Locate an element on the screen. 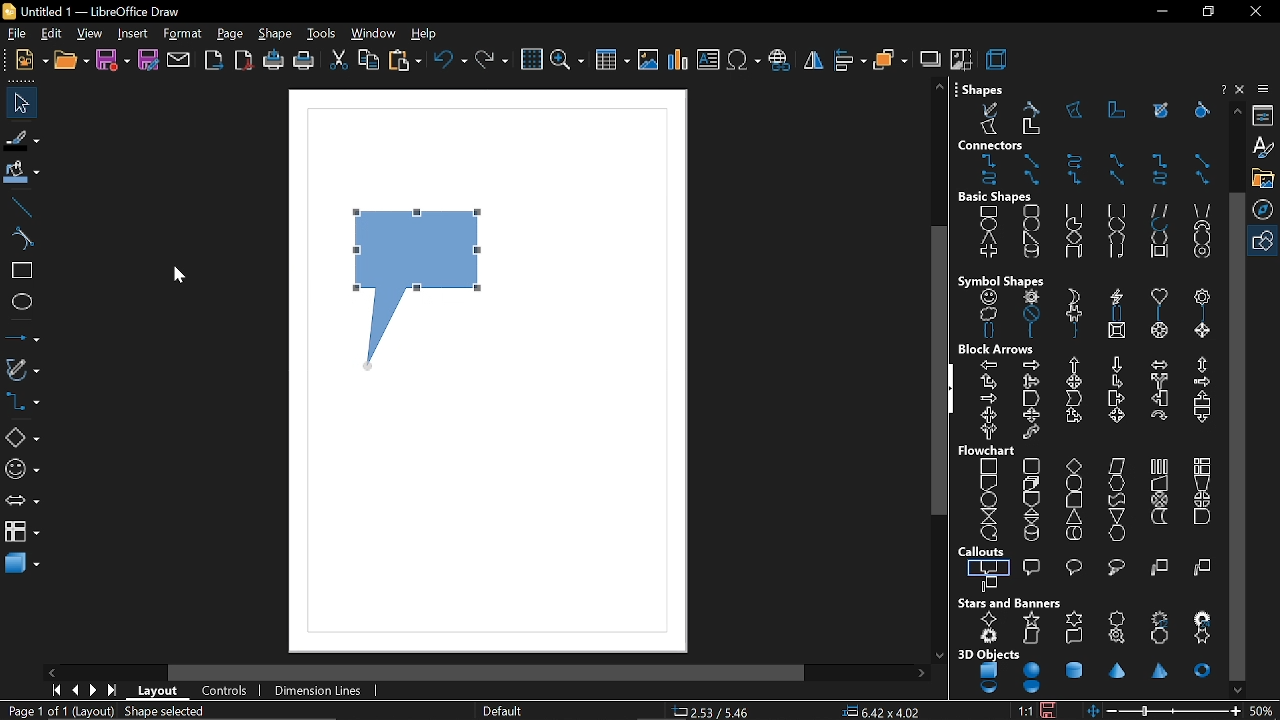 The height and width of the screenshot is (720, 1280). alternate process is located at coordinates (1029, 465).